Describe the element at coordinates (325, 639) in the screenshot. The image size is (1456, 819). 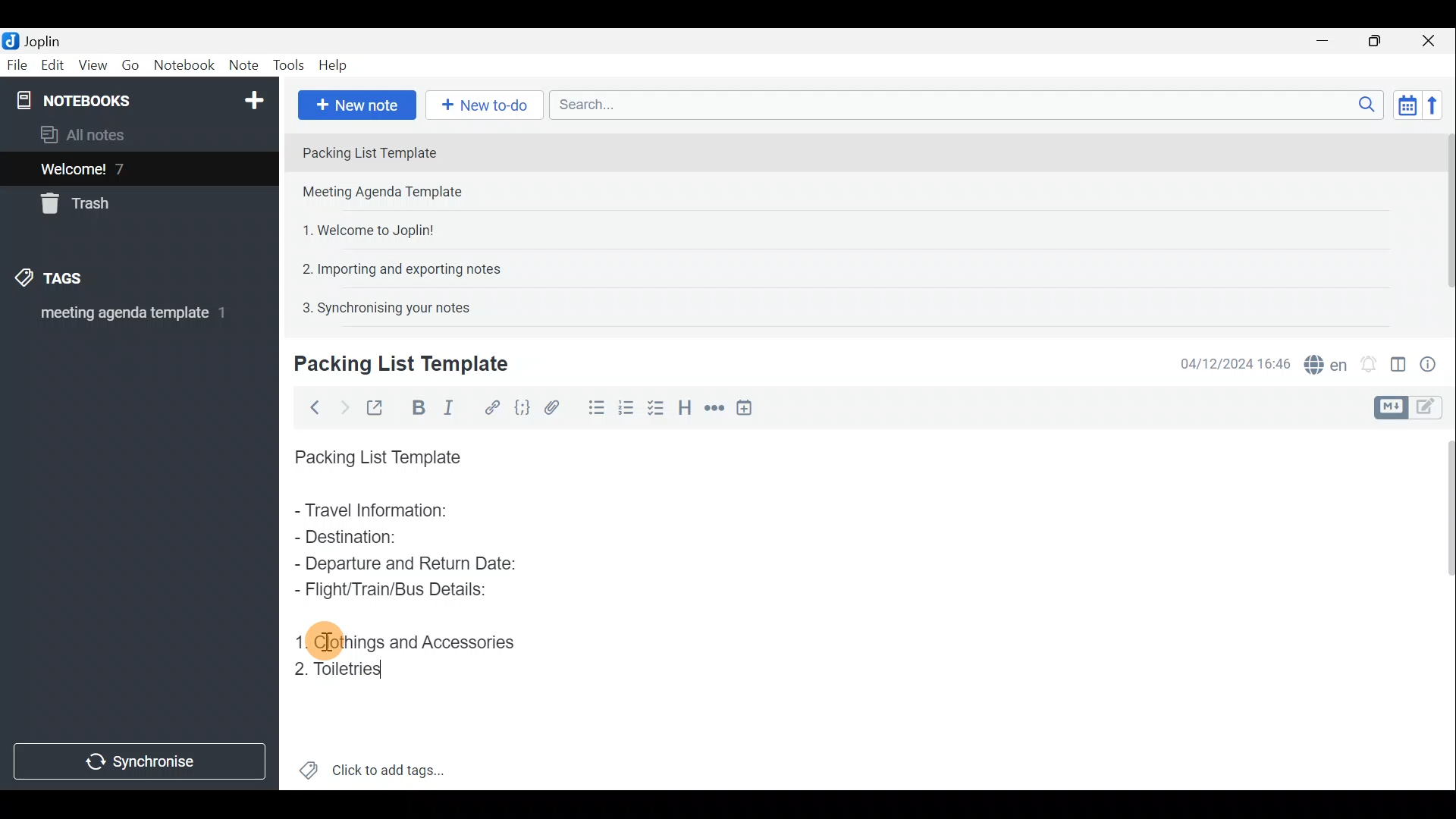
I see `cursor` at that location.